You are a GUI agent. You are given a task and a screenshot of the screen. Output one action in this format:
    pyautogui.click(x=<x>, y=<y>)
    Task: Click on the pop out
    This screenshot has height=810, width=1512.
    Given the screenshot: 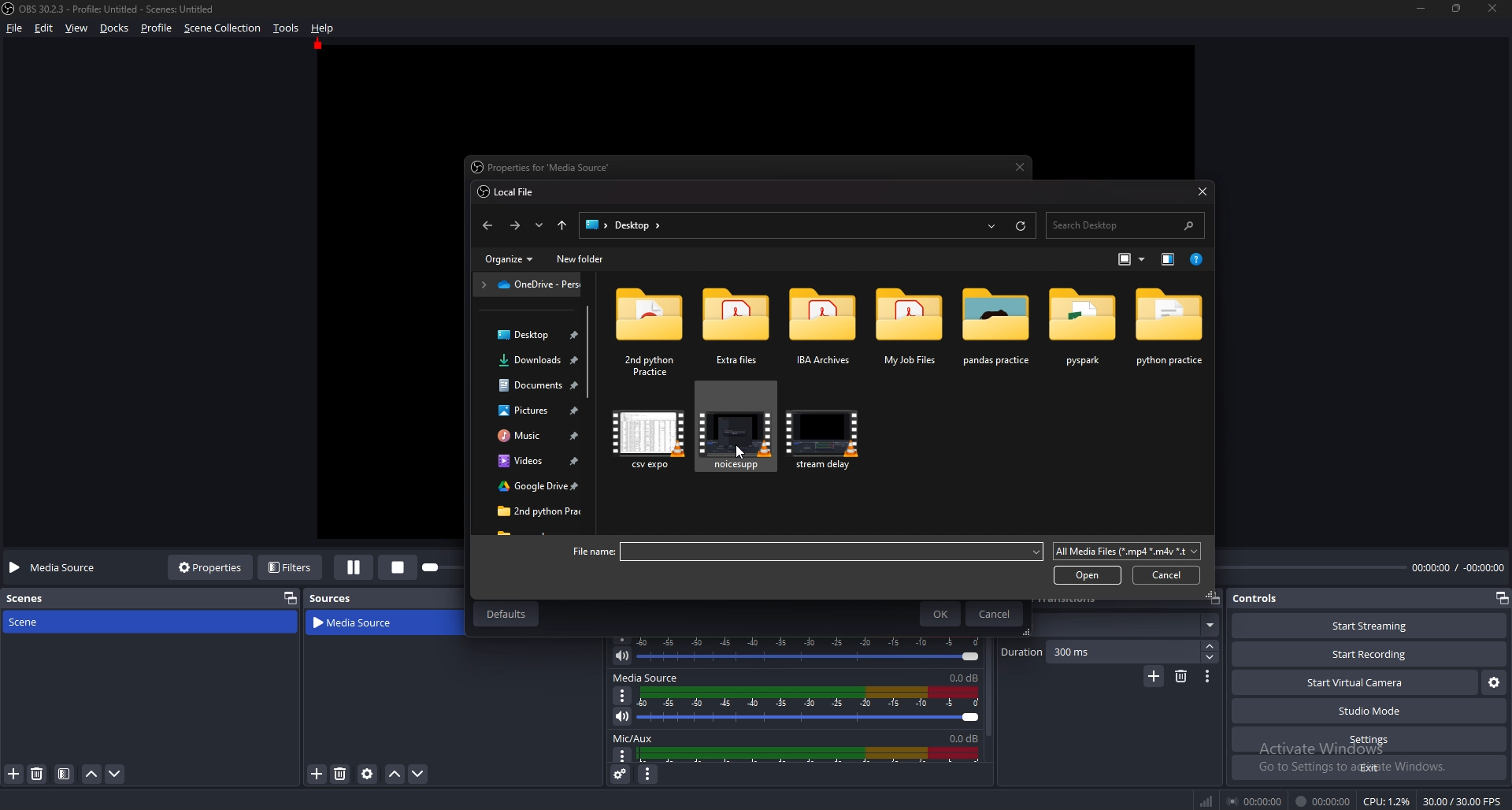 What is the action you would take?
    pyautogui.click(x=287, y=597)
    